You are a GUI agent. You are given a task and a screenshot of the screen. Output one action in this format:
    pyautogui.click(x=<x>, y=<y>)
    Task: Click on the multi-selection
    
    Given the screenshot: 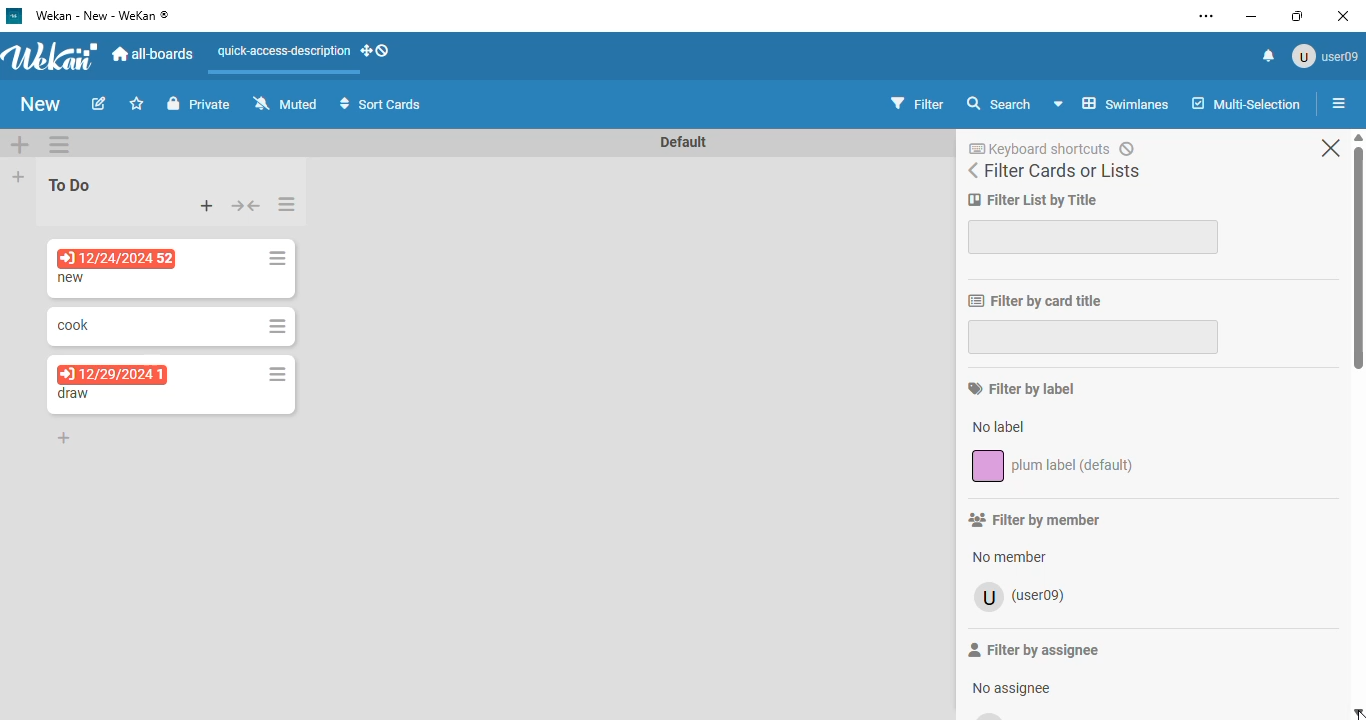 What is the action you would take?
    pyautogui.click(x=1246, y=103)
    